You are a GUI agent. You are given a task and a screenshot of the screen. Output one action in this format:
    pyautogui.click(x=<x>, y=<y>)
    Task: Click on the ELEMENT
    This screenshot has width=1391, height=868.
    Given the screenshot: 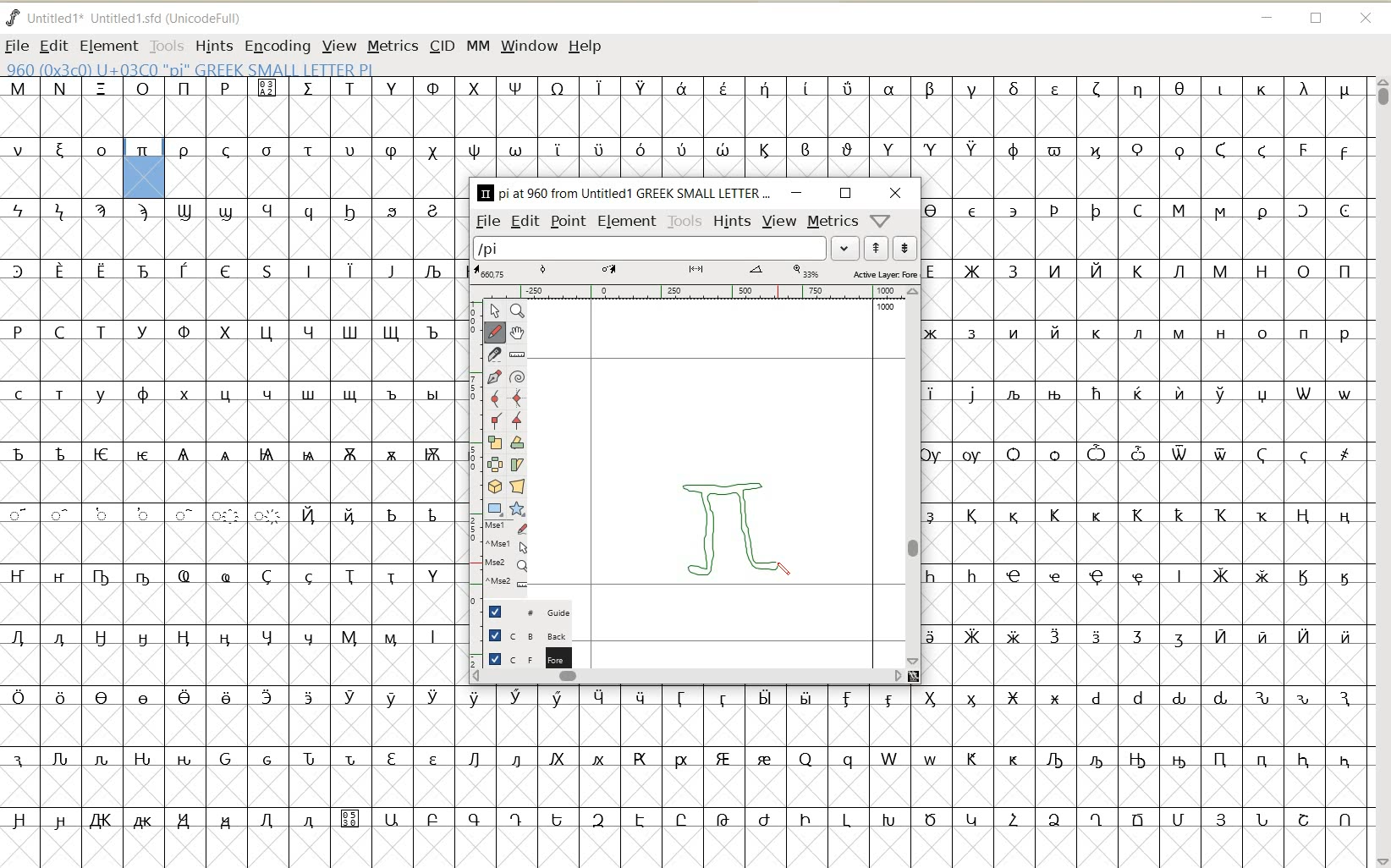 What is the action you would take?
    pyautogui.click(x=108, y=46)
    